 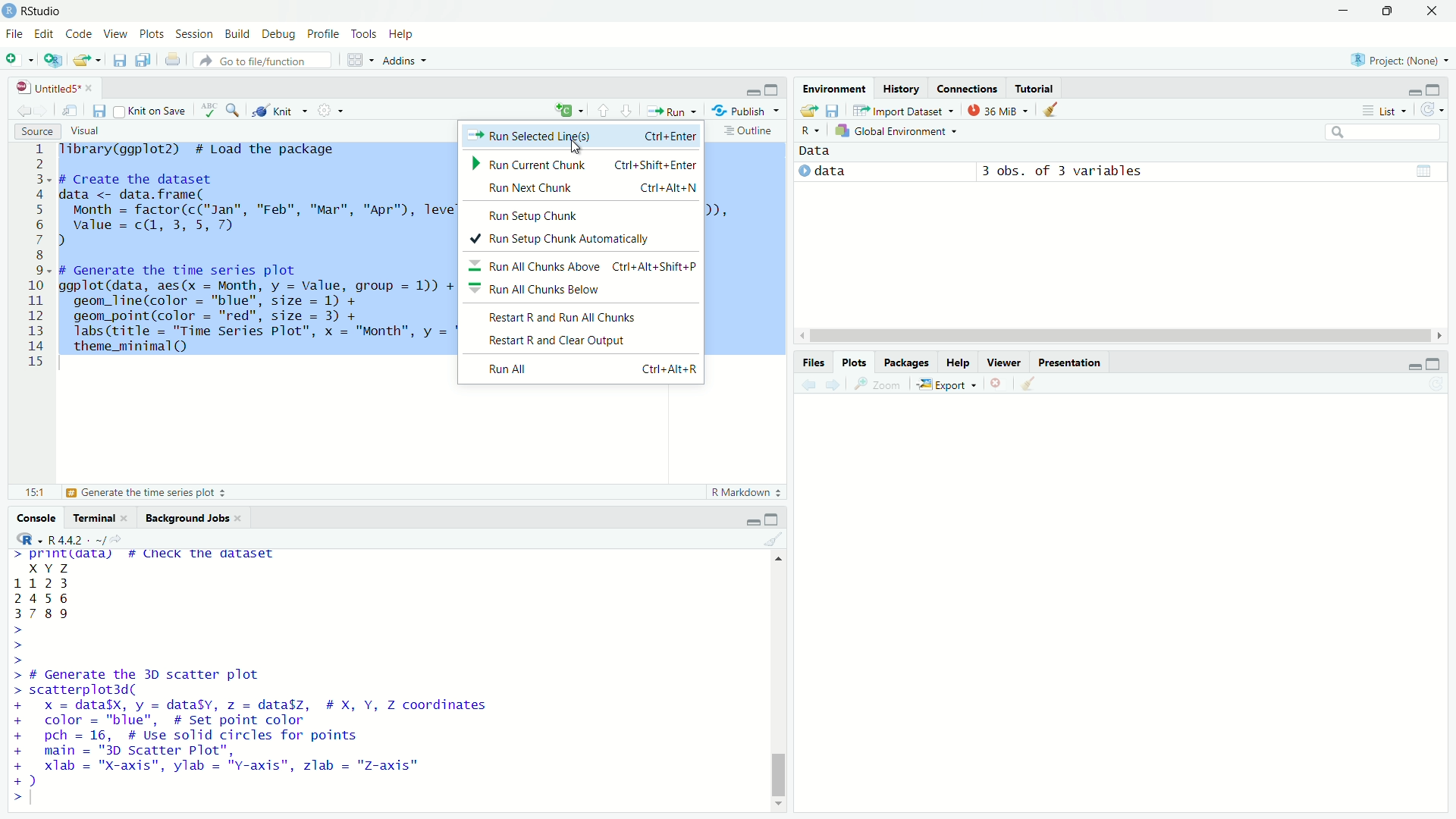 I want to click on Restart R and Run All Chunks, so click(x=589, y=317).